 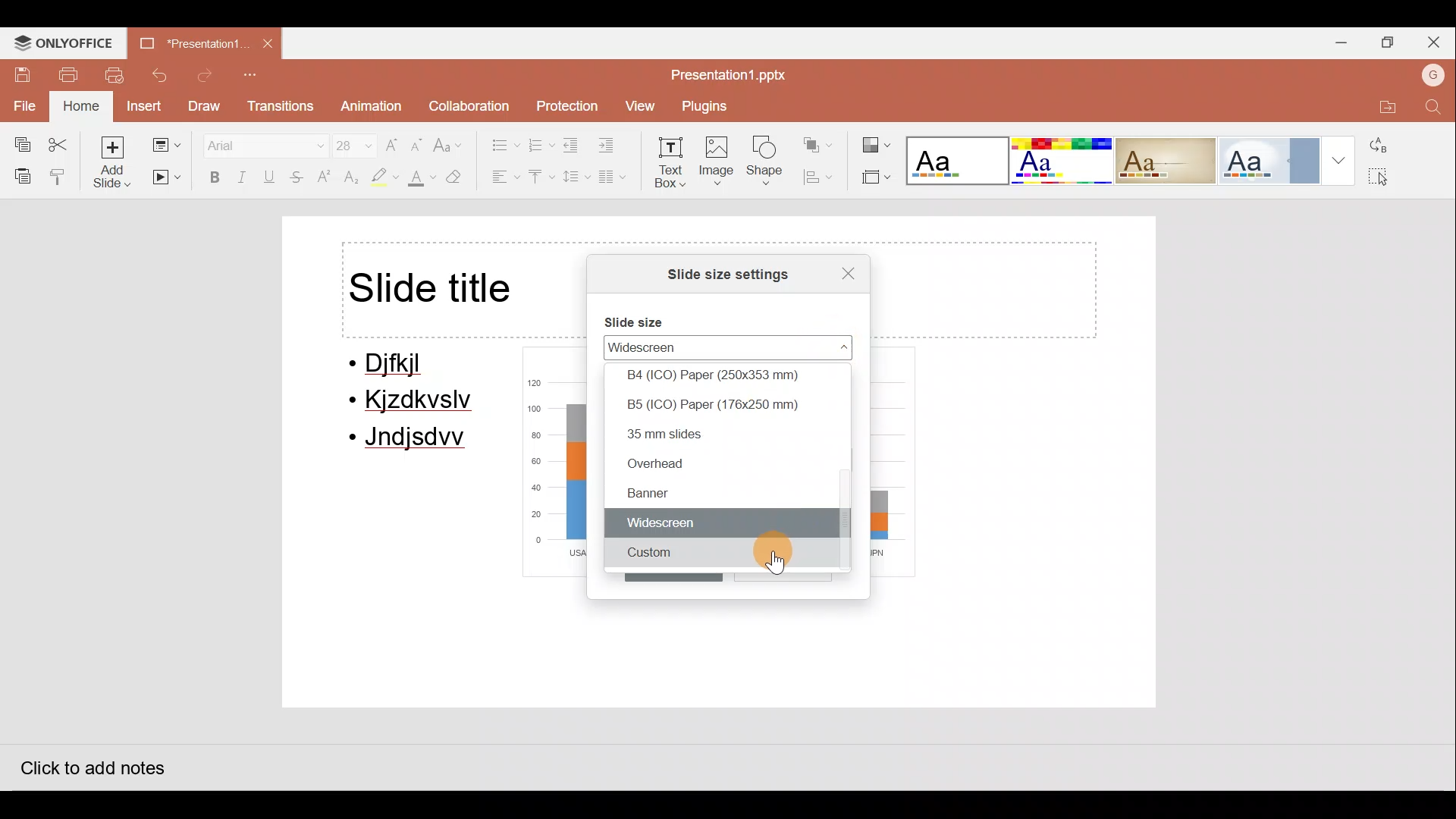 I want to click on Undo, so click(x=162, y=75).